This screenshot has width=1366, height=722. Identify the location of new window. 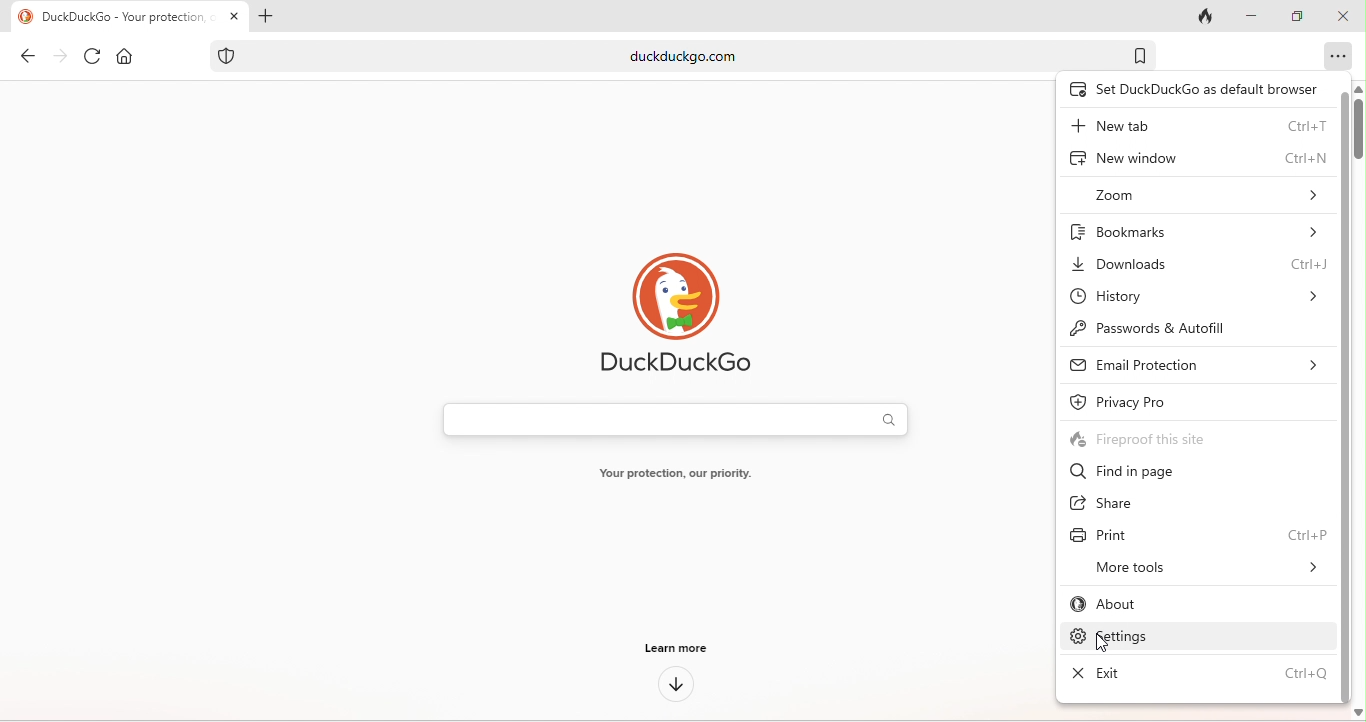
(1197, 156).